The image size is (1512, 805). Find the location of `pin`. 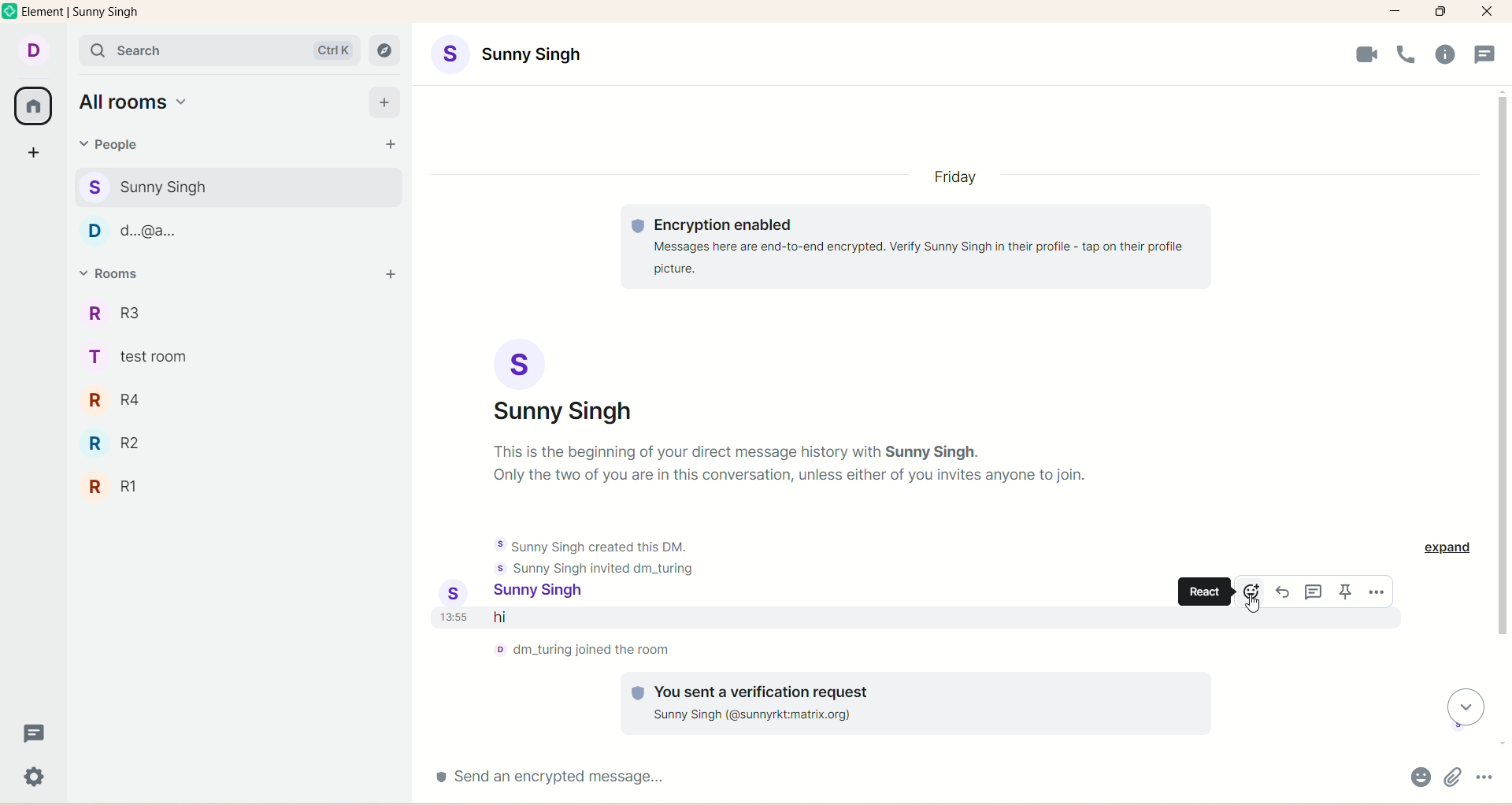

pin is located at coordinates (1345, 592).